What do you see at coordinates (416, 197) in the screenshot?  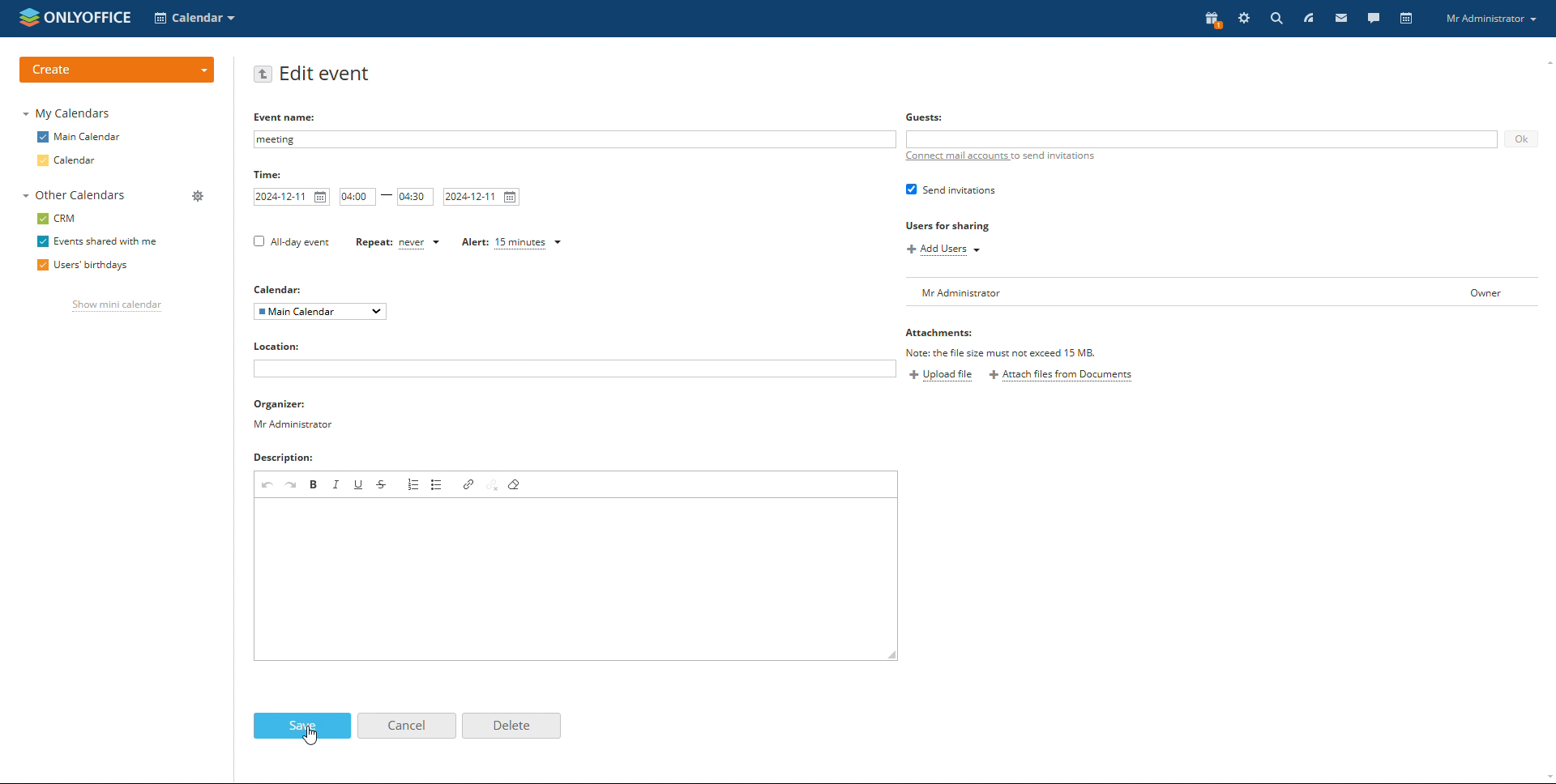 I see `end time` at bounding box center [416, 197].